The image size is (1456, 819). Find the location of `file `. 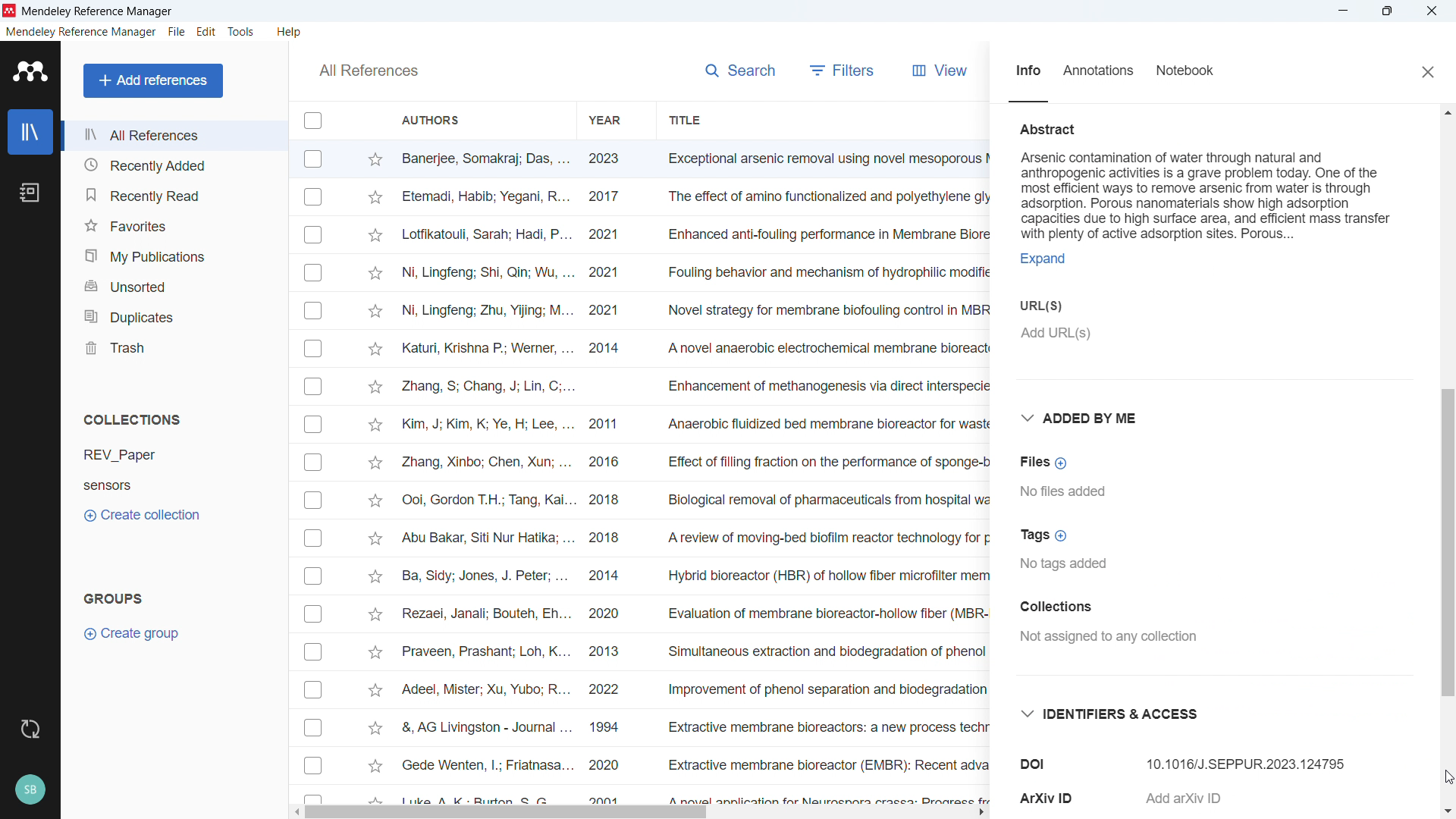

file  is located at coordinates (177, 33).